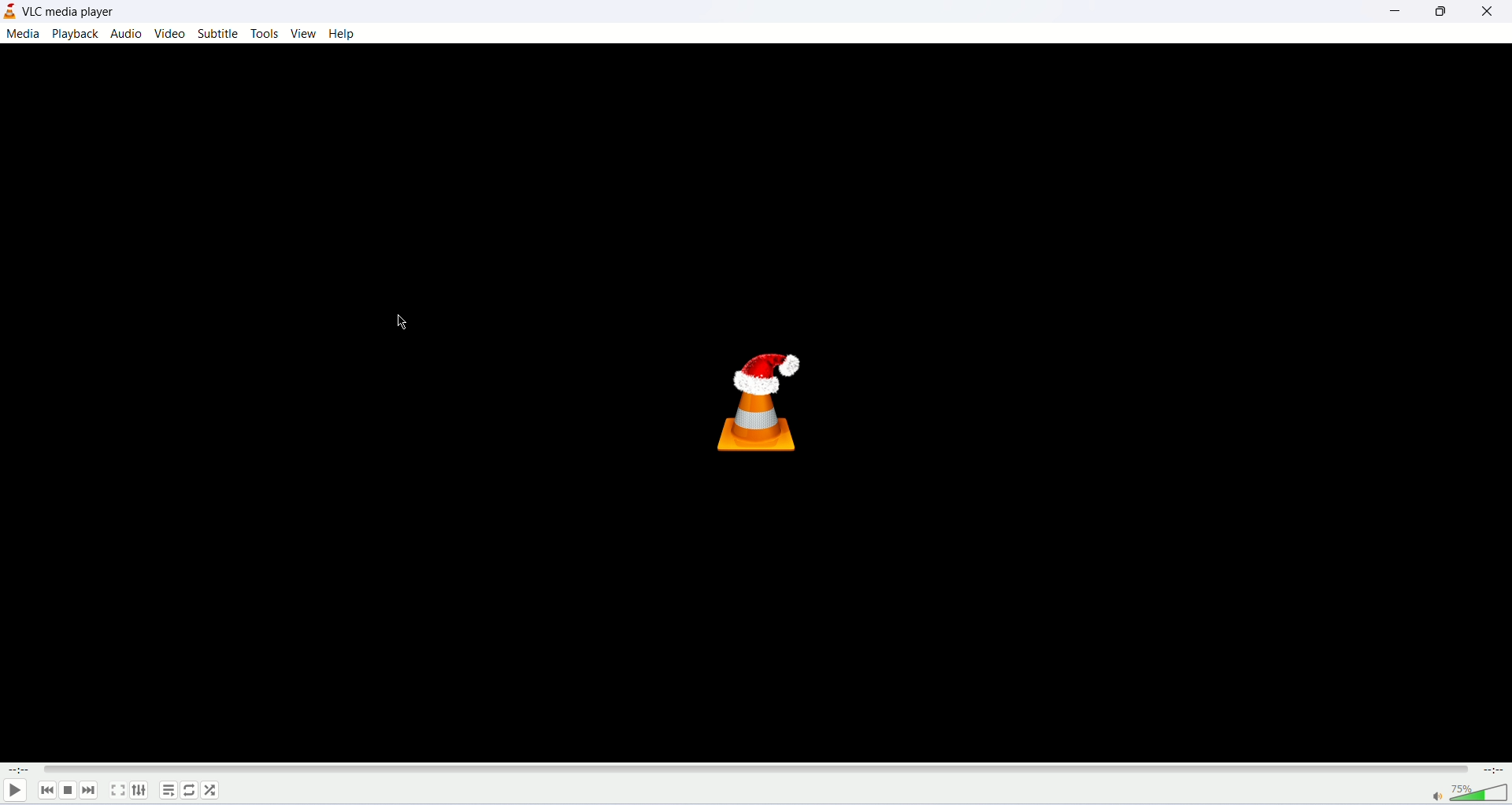 This screenshot has height=805, width=1512. I want to click on video, so click(172, 34).